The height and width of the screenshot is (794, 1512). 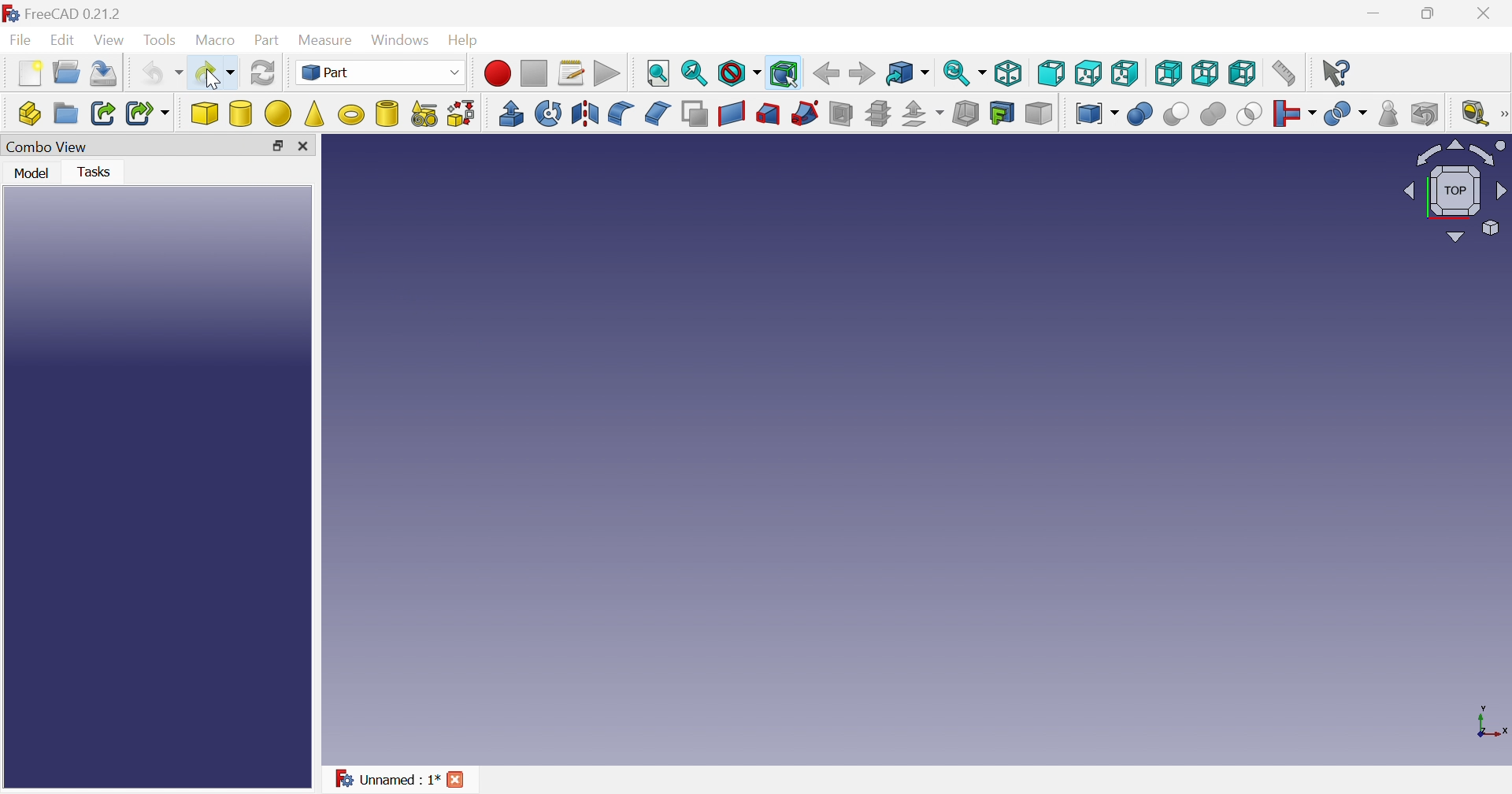 I want to click on Create part, so click(x=29, y=114).